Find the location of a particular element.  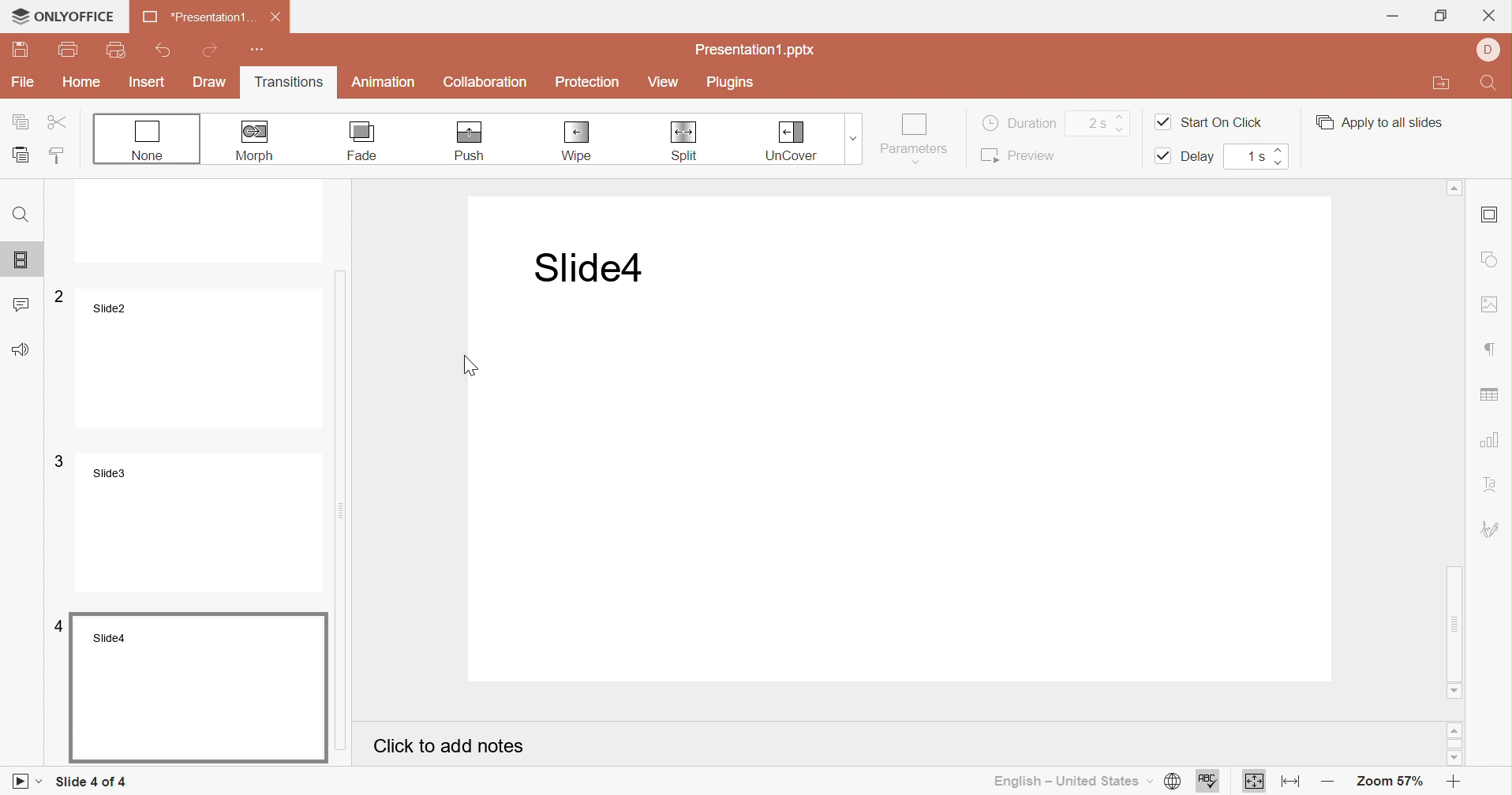

View is located at coordinates (664, 83).